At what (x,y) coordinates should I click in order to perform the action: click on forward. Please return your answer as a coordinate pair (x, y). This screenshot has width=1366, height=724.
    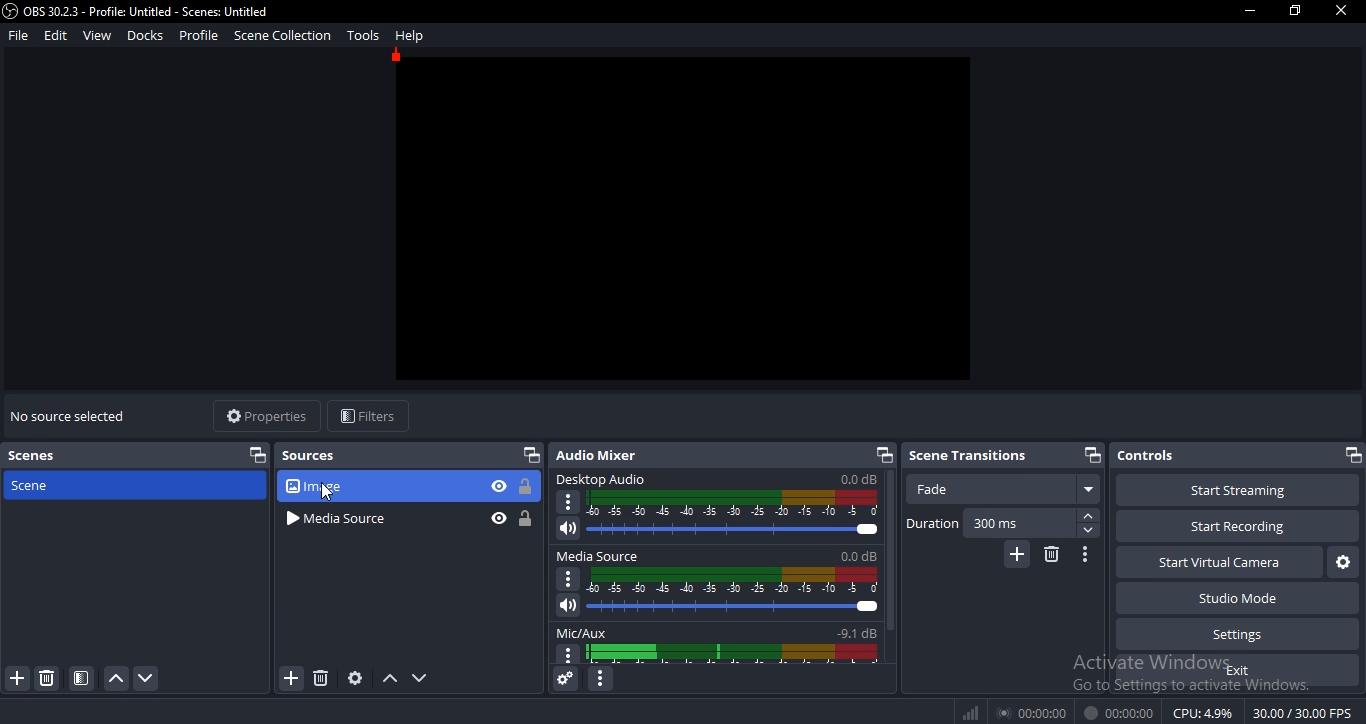
    Looking at the image, I should click on (1090, 517).